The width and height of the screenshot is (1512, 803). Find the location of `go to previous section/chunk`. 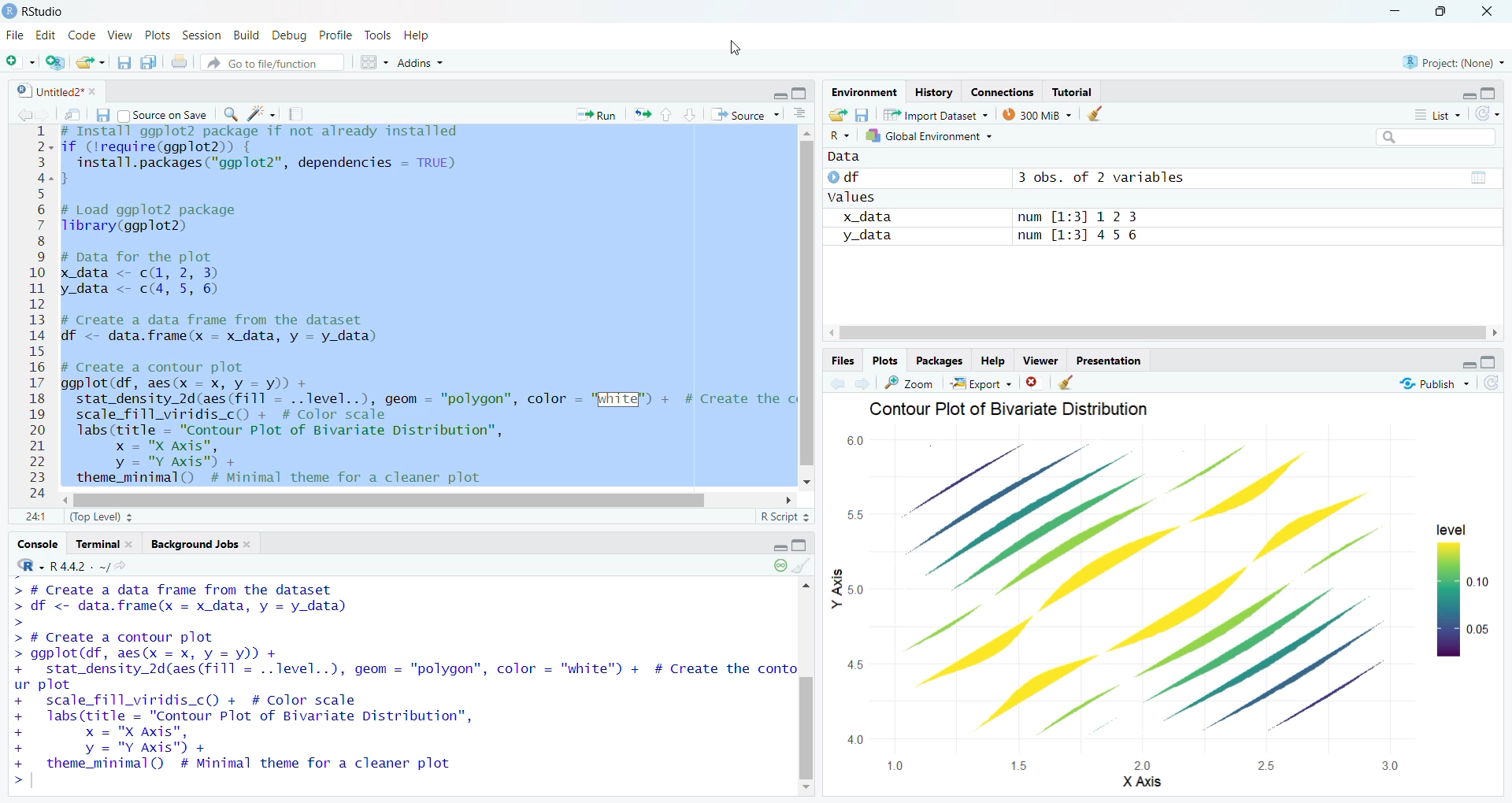

go to previous section/chunk is located at coordinates (665, 114).